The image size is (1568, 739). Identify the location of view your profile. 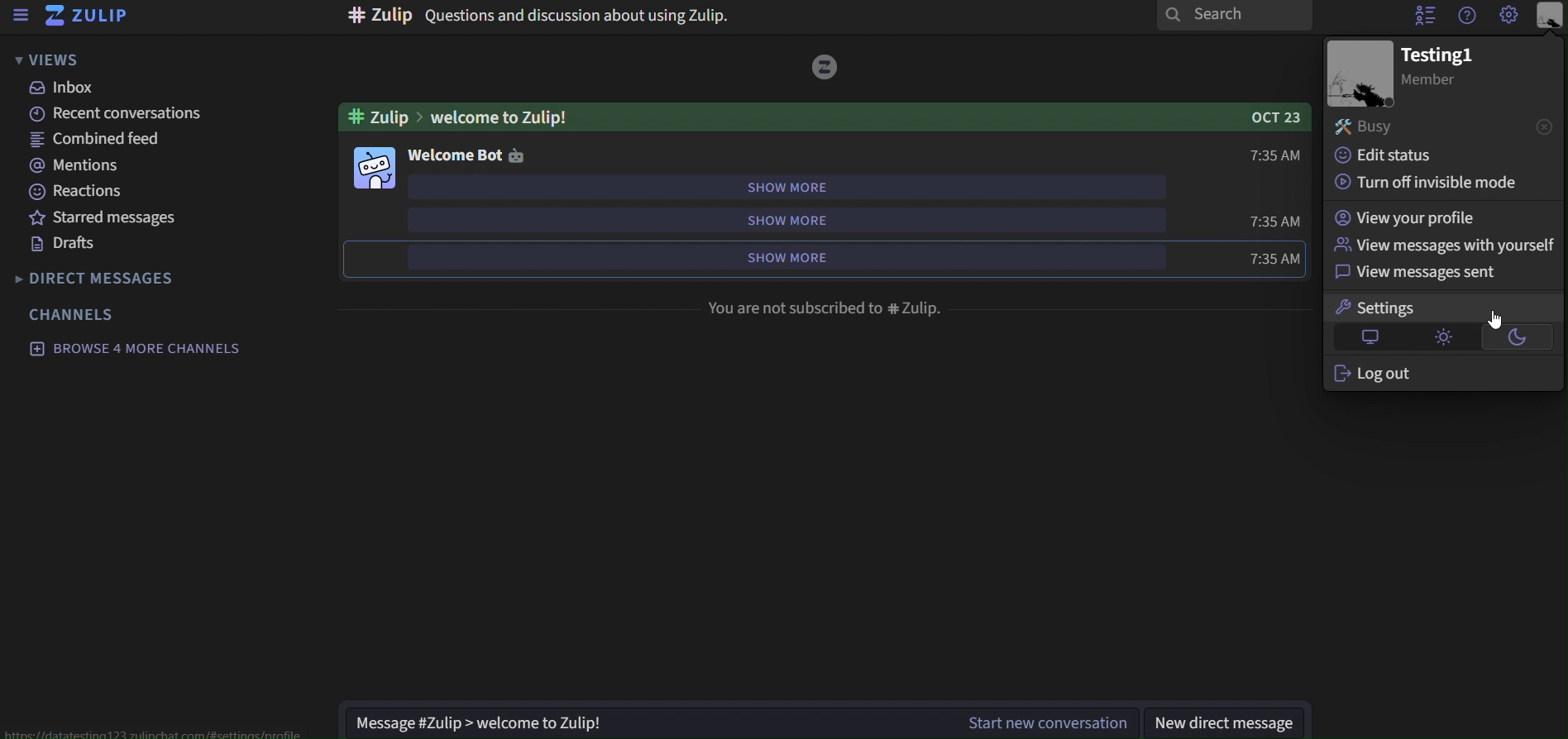
(1439, 217).